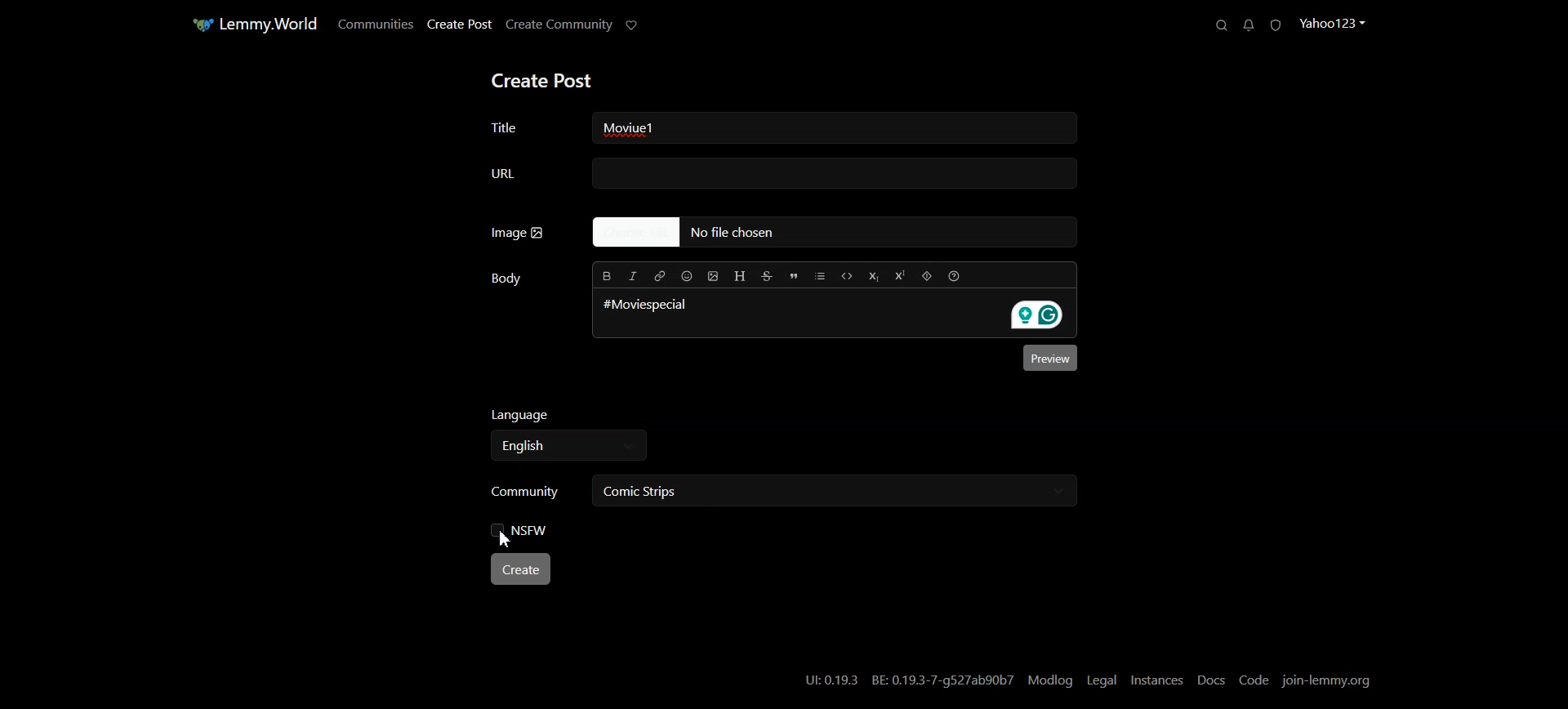 The image size is (1568, 709). Describe the element at coordinates (520, 531) in the screenshot. I see `NSFW` at that location.